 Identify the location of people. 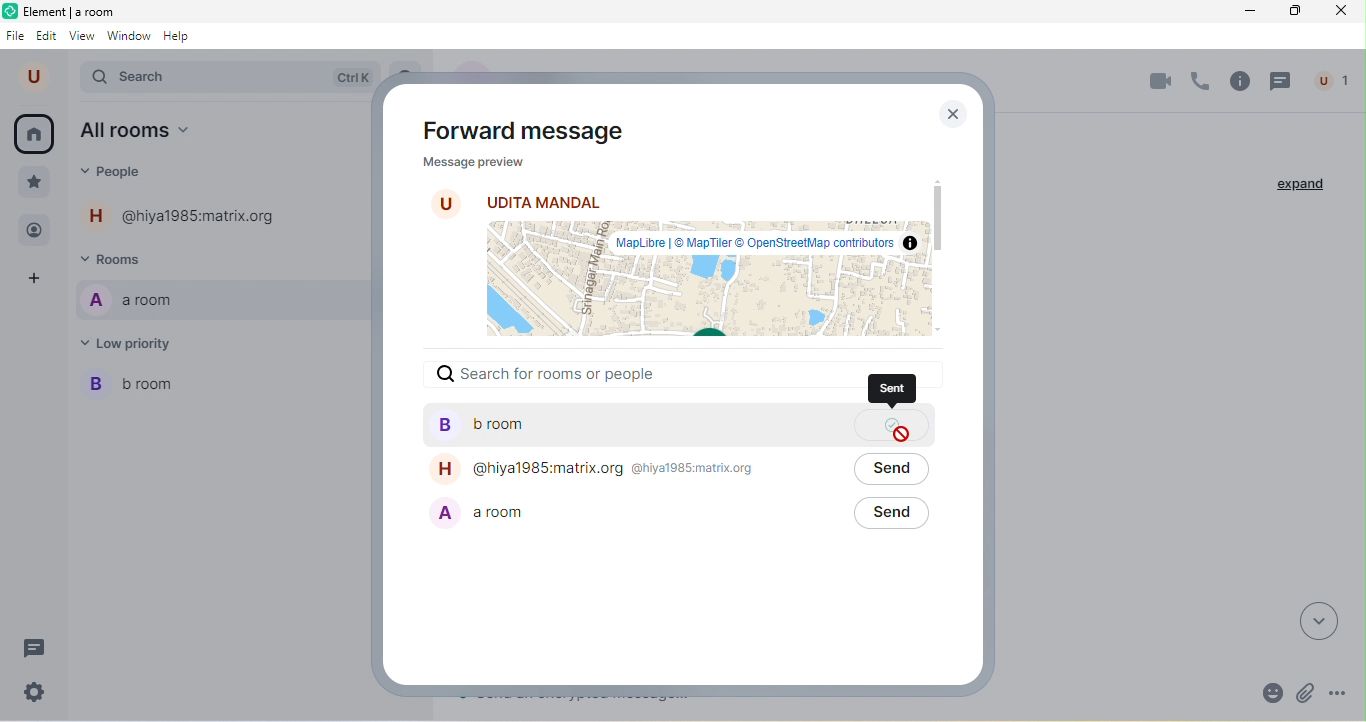
(120, 172).